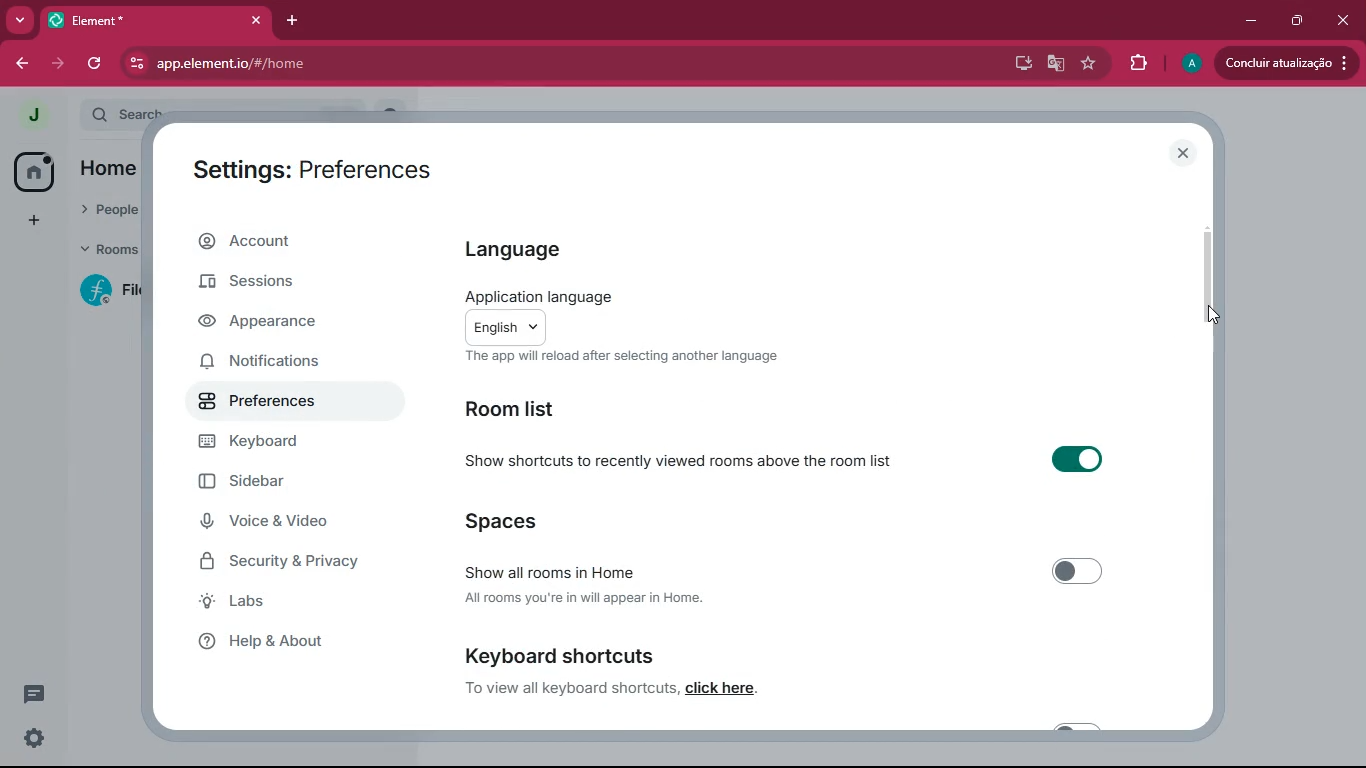  I want to click on security & Privacy, so click(289, 562).